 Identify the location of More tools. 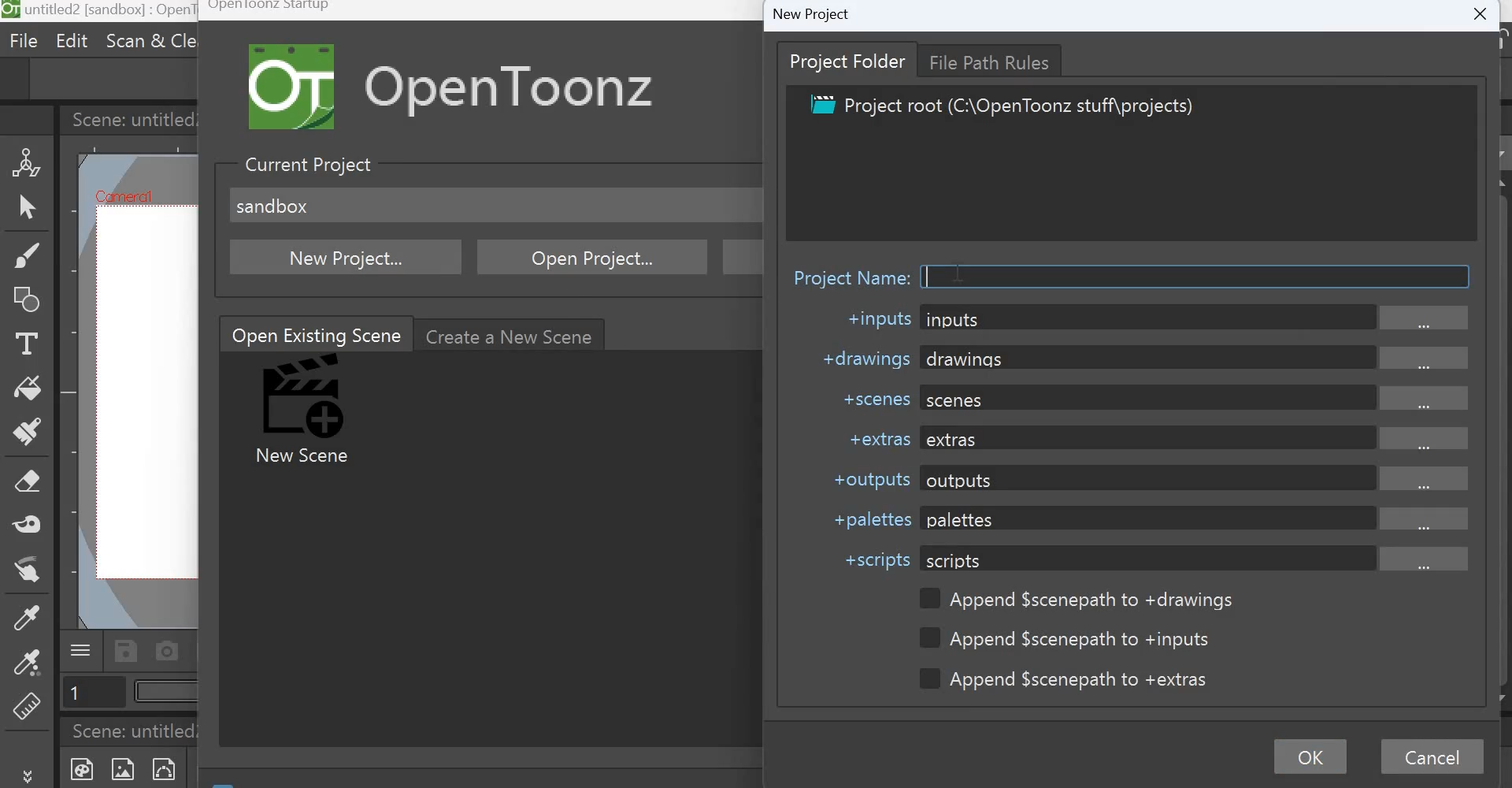
(30, 775).